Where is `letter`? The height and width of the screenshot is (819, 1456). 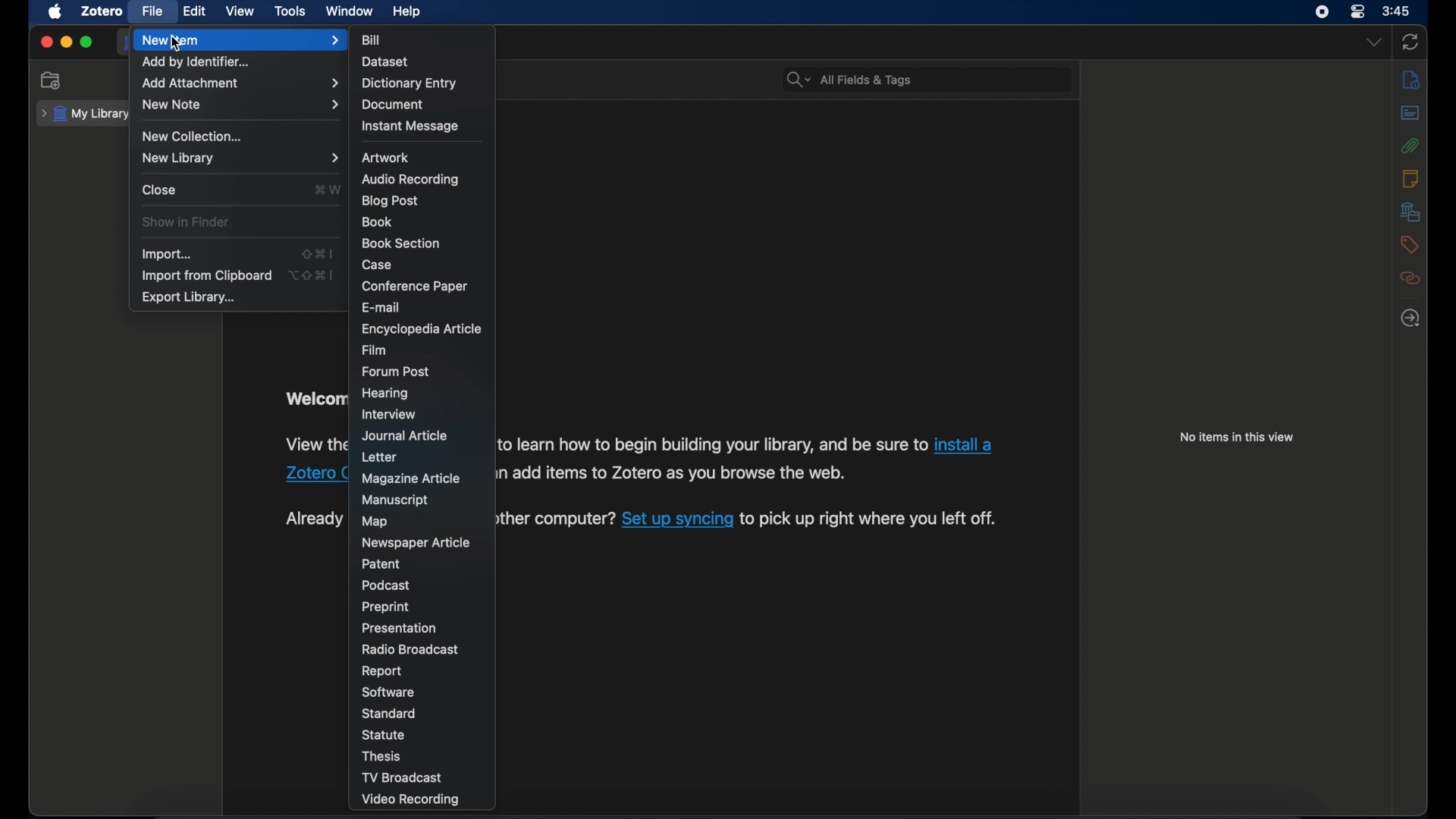 letter is located at coordinates (379, 457).